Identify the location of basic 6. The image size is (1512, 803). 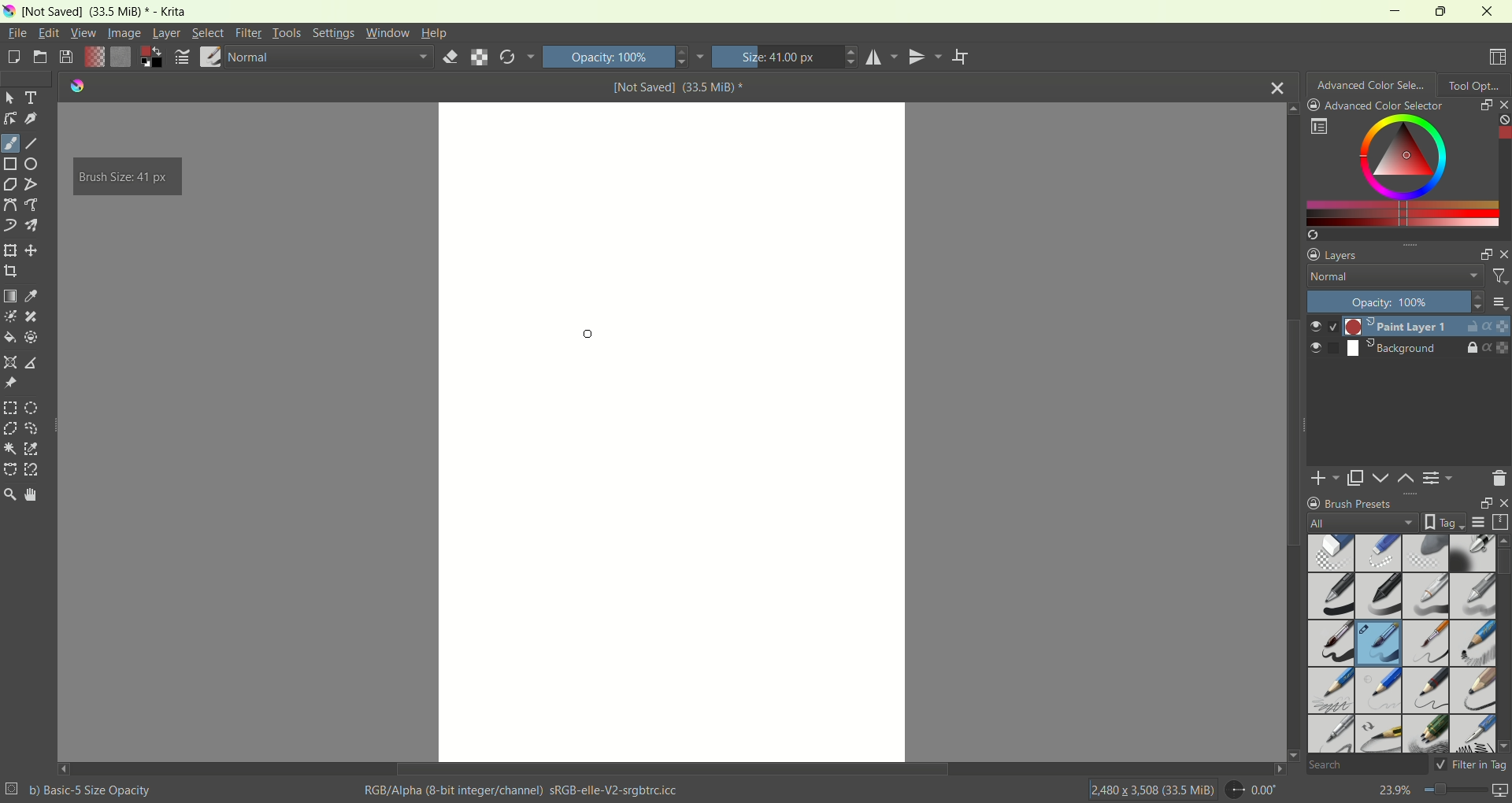
(1425, 645).